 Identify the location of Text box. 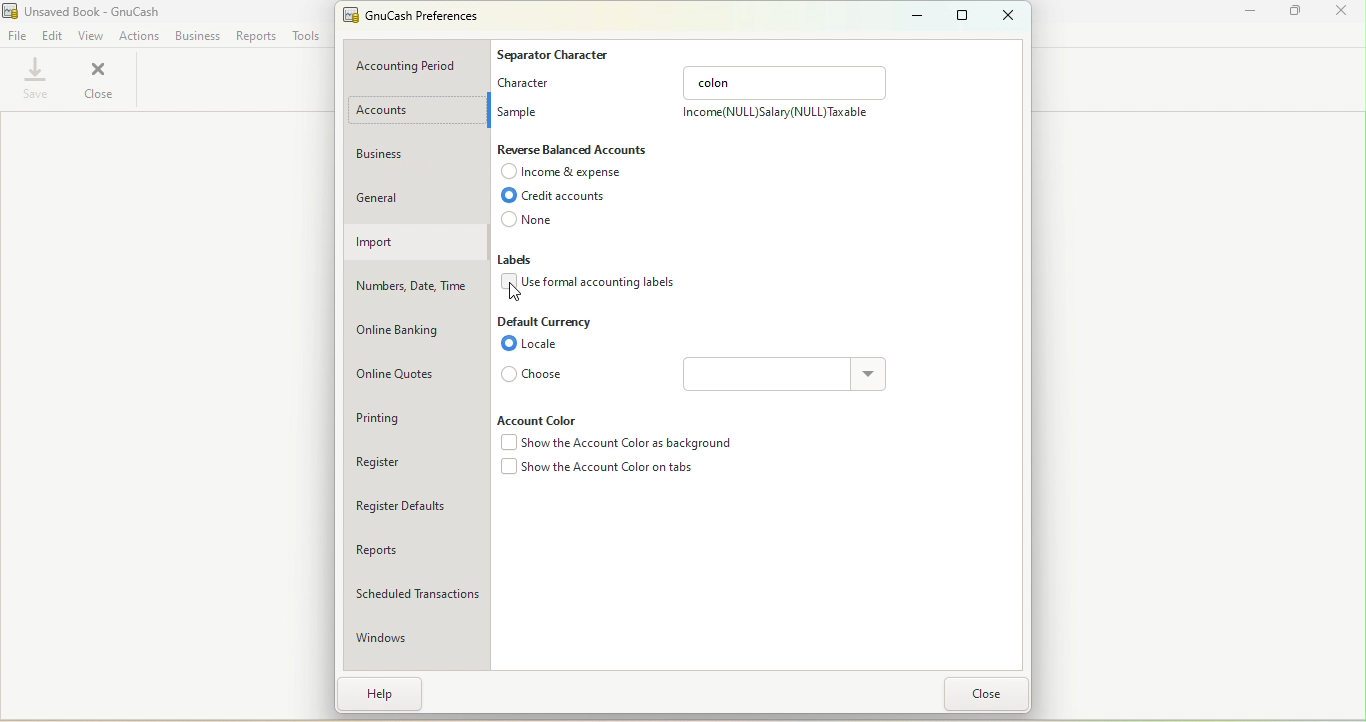
(770, 374).